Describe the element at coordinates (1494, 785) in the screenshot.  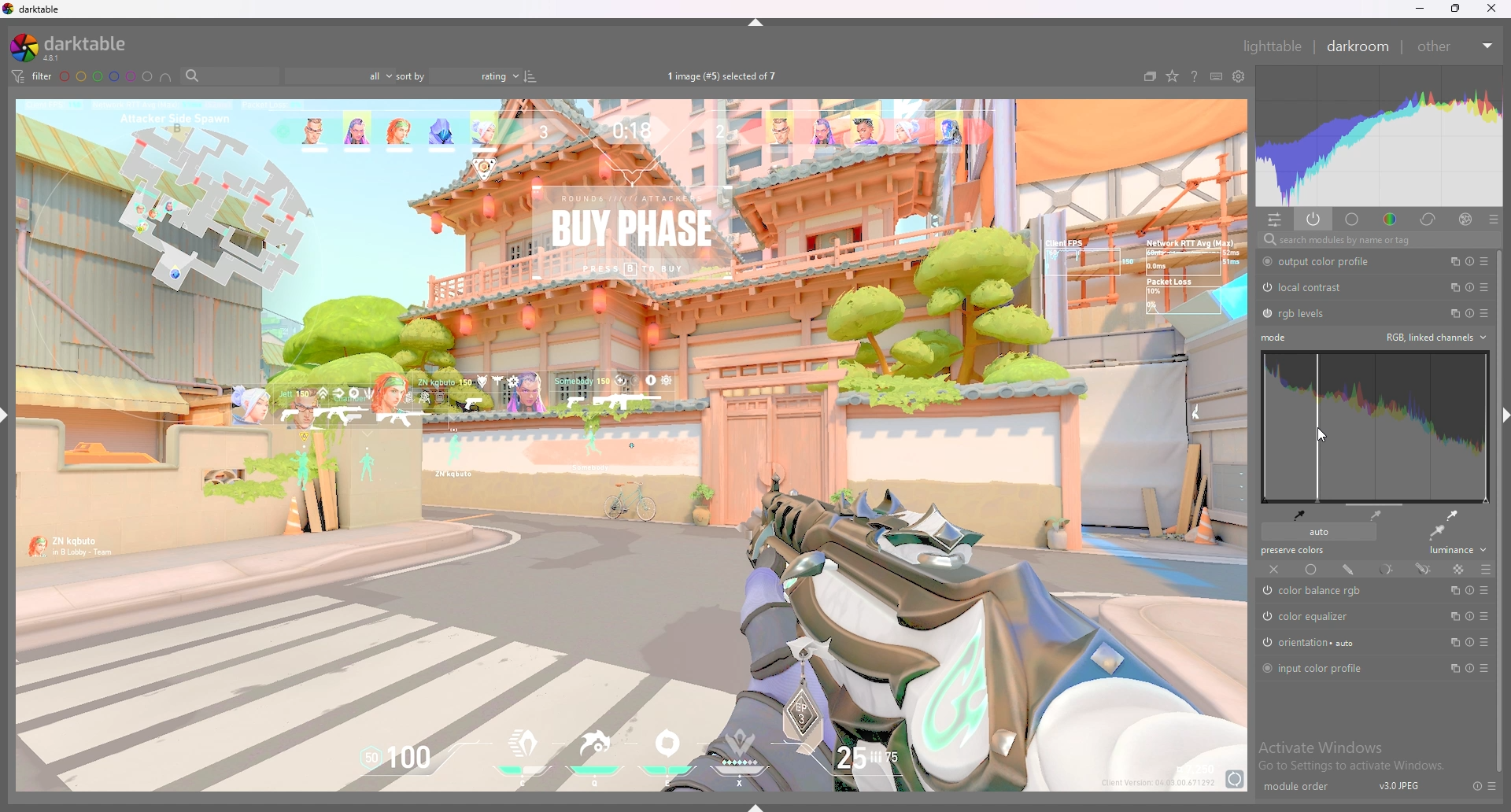
I see `presets` at that location.